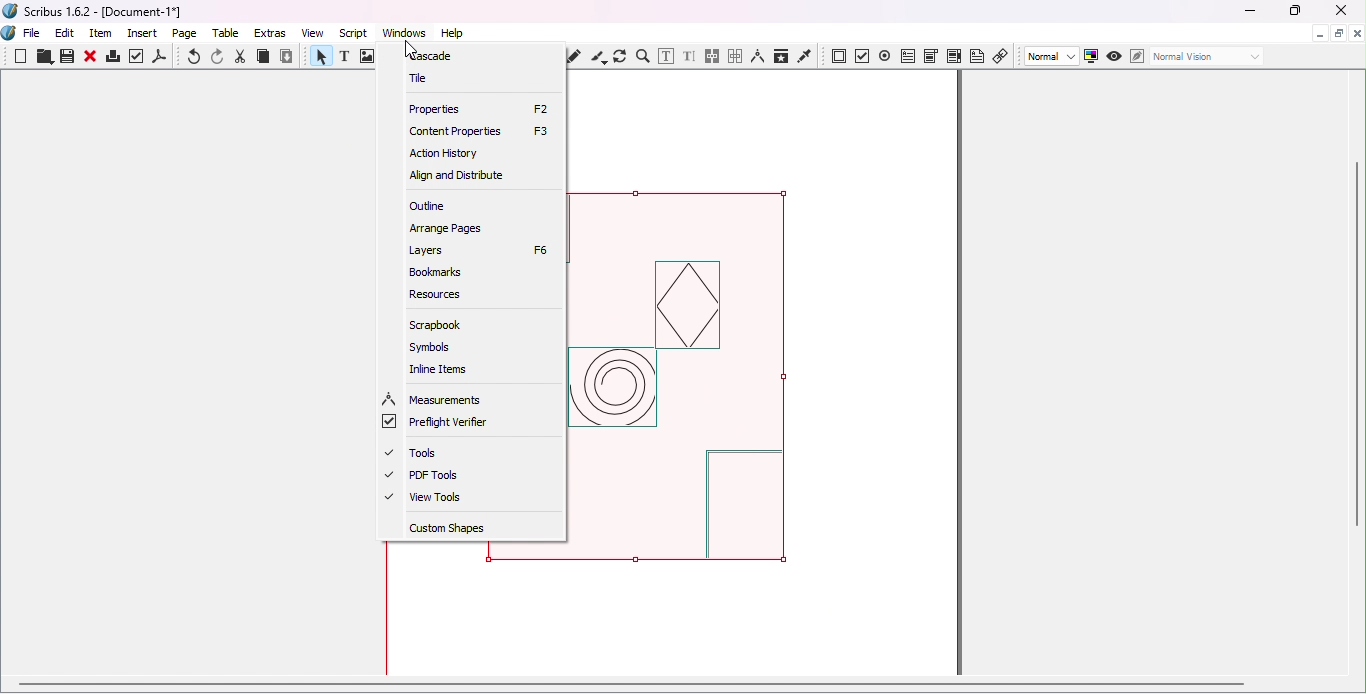 The image size is (1366, 694). What do you see at coordinates (930, 56) in the screenshot?
I see `PDF combo box` at bounding box center [930, 56].